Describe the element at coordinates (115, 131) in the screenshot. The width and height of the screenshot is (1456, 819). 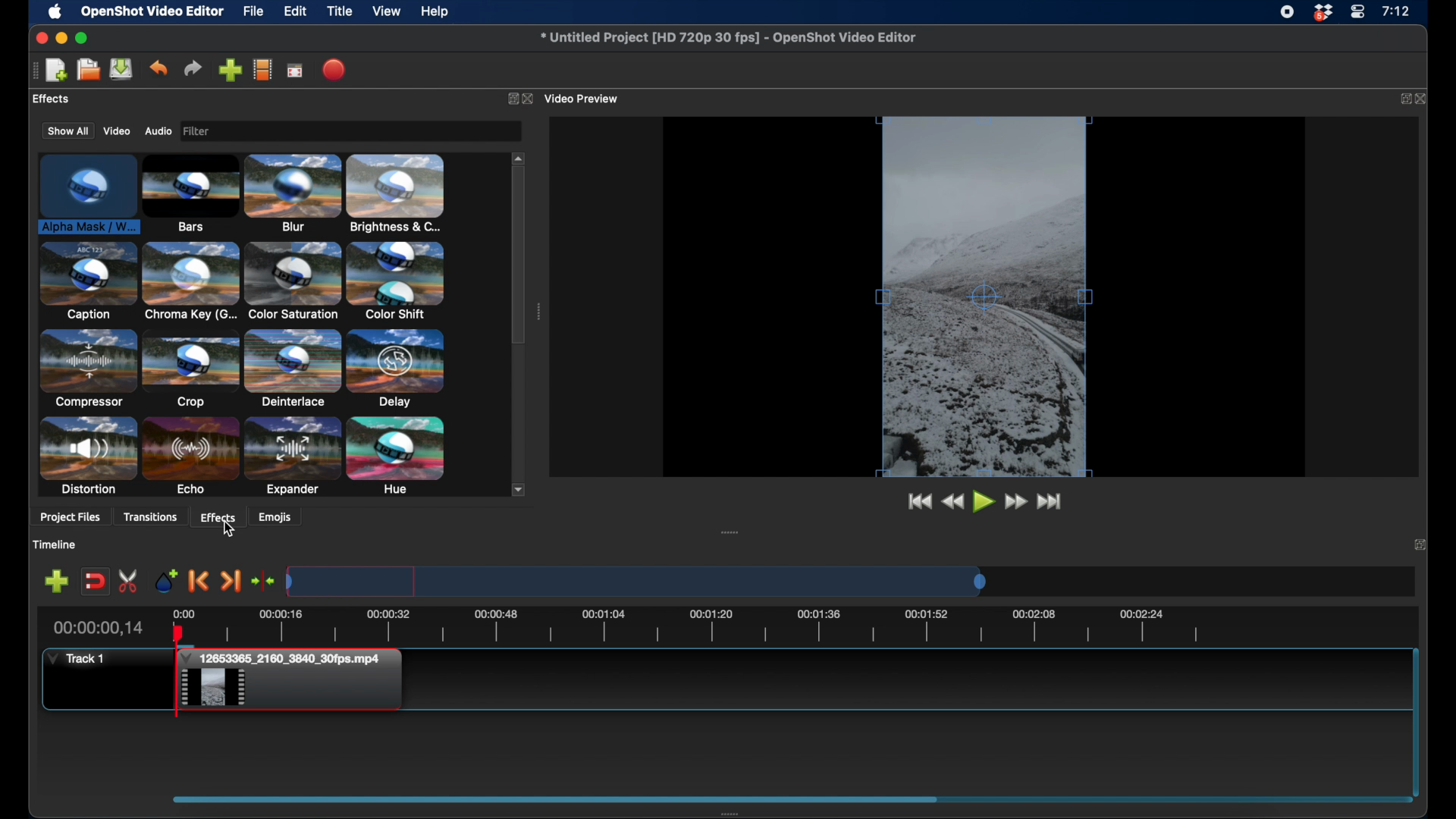
I see `video` at that location.